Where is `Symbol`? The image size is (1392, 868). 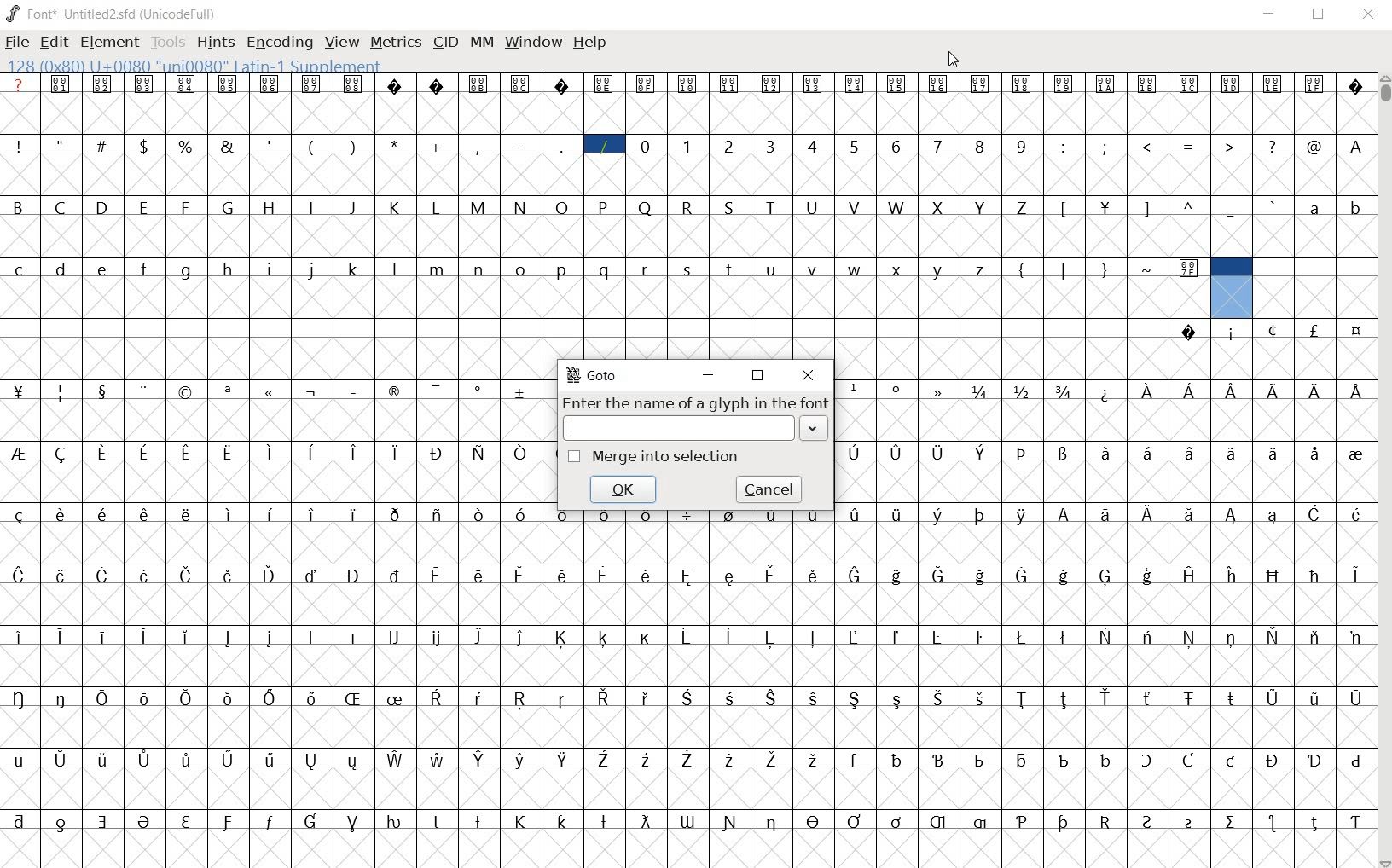 Symbol is located at coordinates (188, 758).